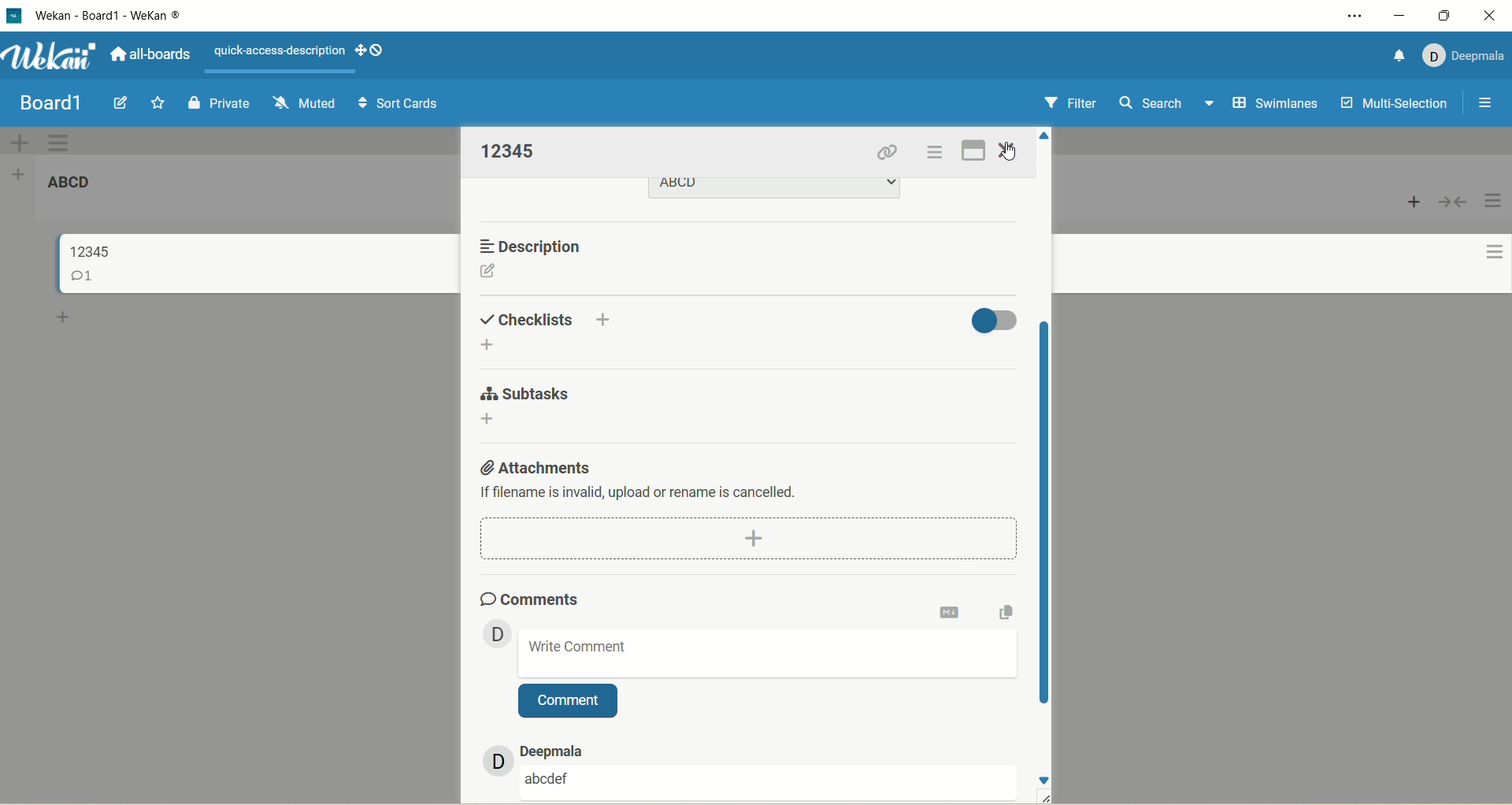 This screenshot has width=1512, height=805. Describe the element at coordinates (1007, 151) in the screenshot. I see `close` at that location.